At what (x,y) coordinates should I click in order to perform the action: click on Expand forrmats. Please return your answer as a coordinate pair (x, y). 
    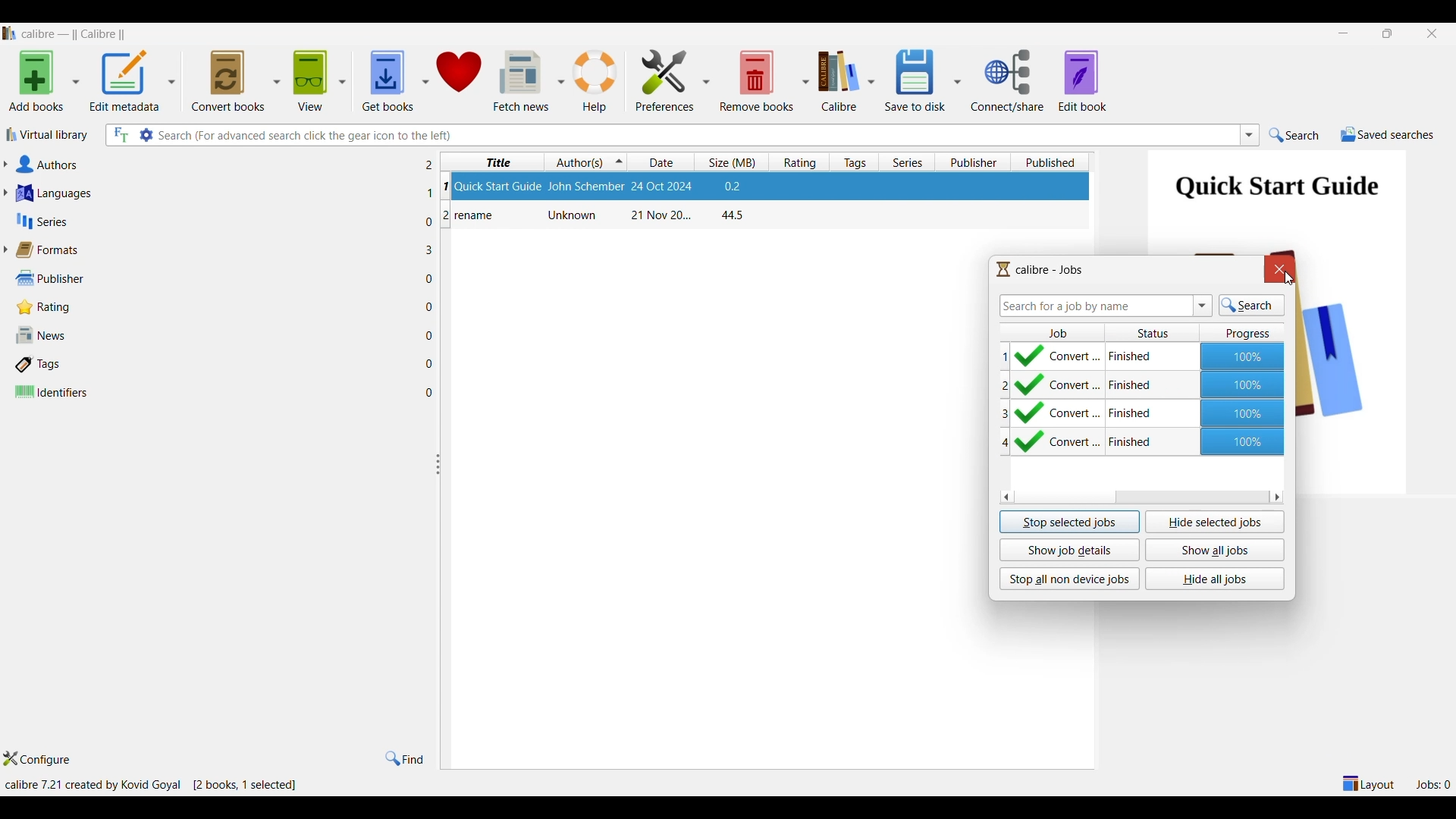
    Looking at the image, I should click on (5, 249).